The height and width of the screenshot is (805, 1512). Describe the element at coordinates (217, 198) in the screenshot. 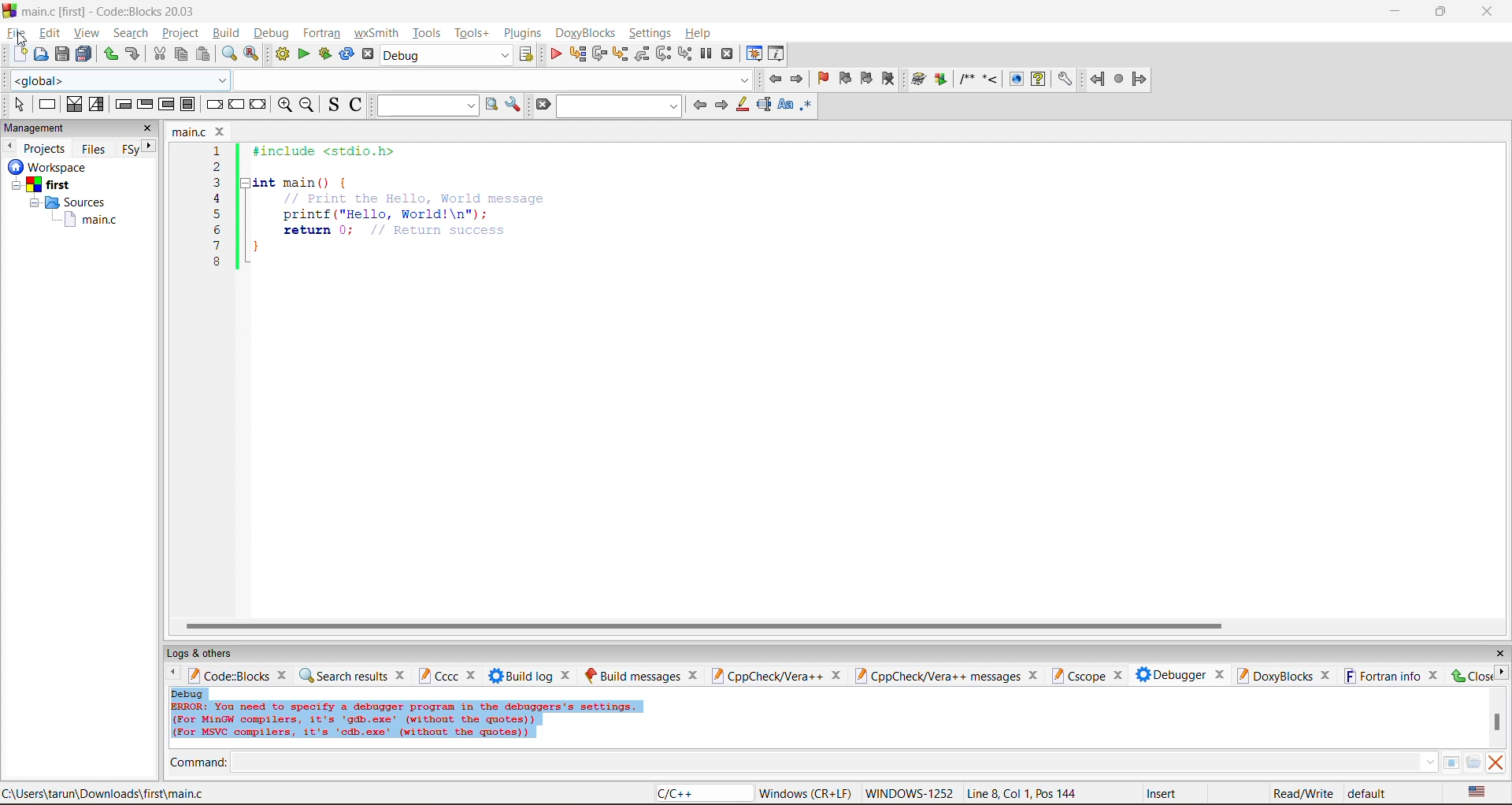

I see `4` at that location.